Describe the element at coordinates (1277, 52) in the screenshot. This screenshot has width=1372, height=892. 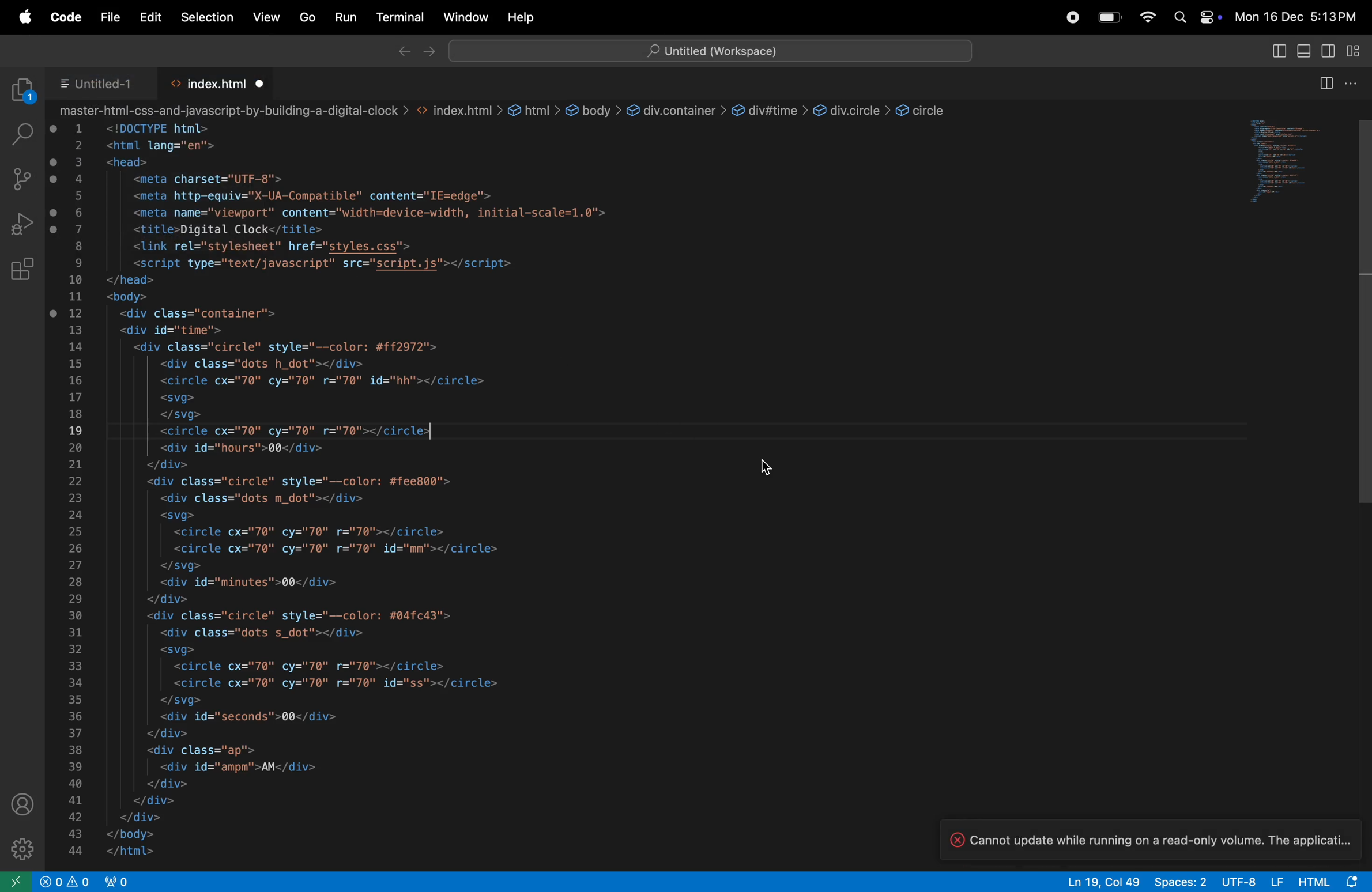
I see `toggle  primary side bar` at that location.